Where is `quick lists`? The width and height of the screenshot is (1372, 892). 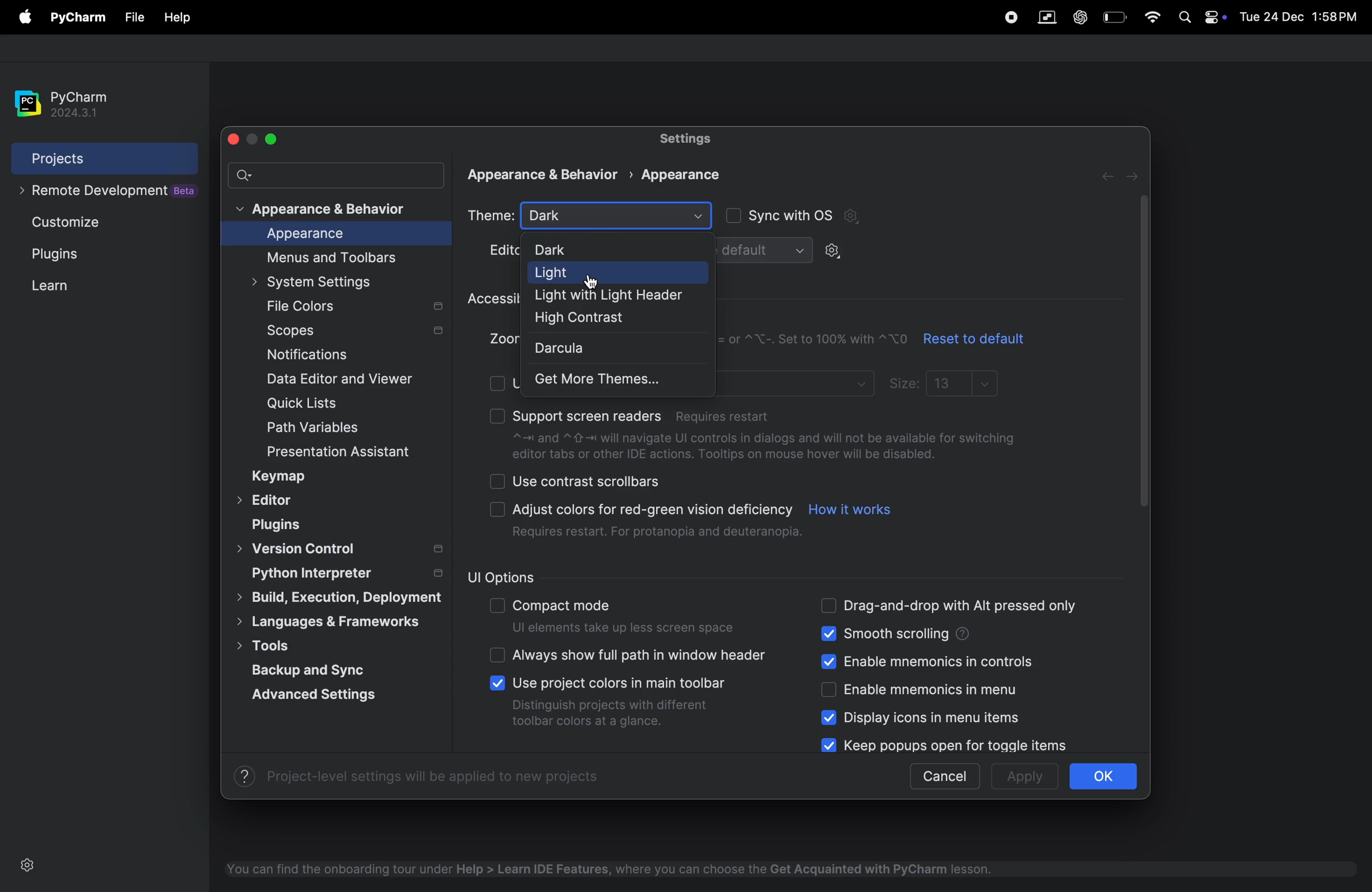
quick lists is located at coordinates (319, 405).